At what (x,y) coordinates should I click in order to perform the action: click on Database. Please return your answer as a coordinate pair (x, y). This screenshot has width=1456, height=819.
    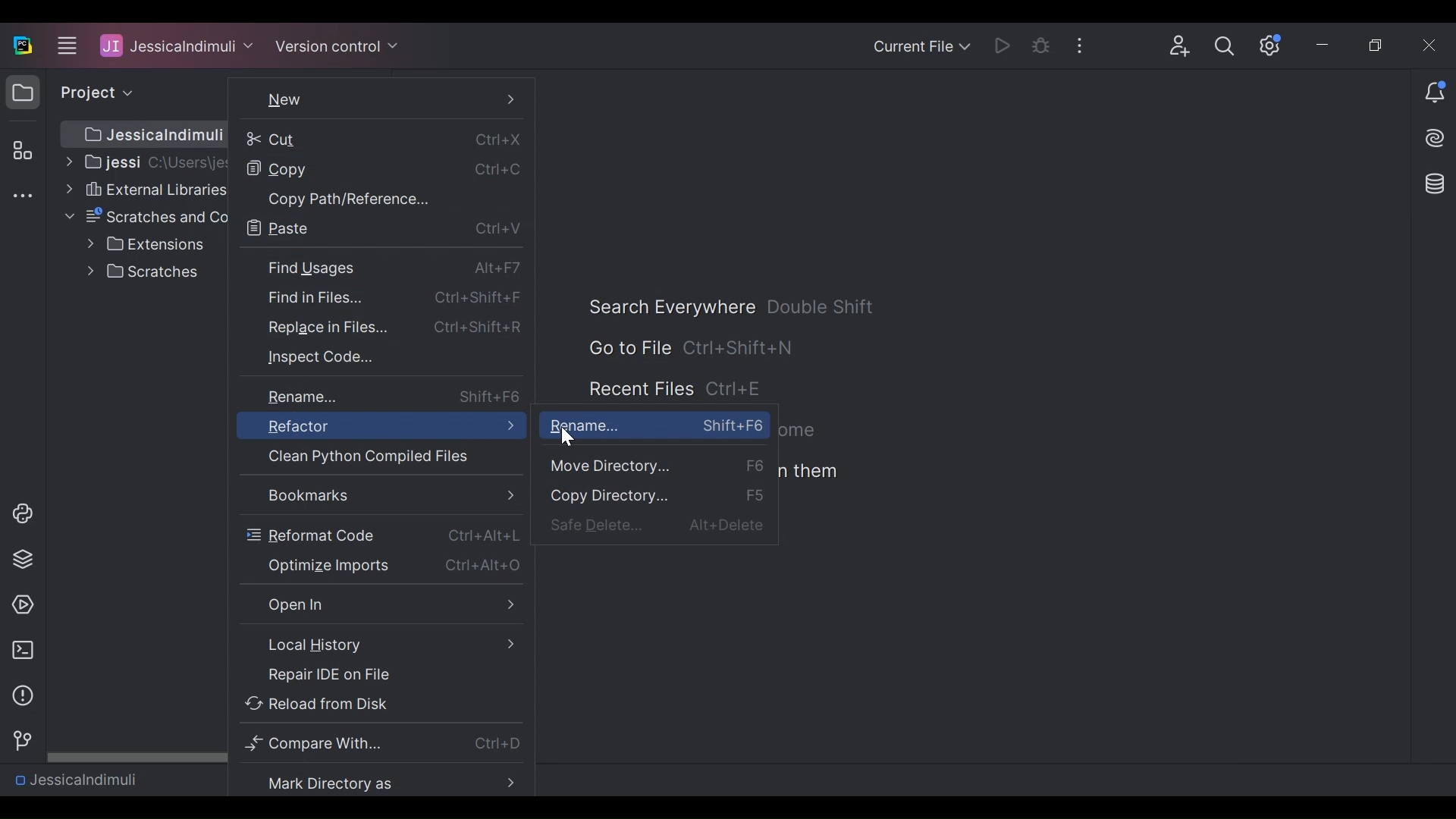
    Looking at the image, I should click on (1432, 183).